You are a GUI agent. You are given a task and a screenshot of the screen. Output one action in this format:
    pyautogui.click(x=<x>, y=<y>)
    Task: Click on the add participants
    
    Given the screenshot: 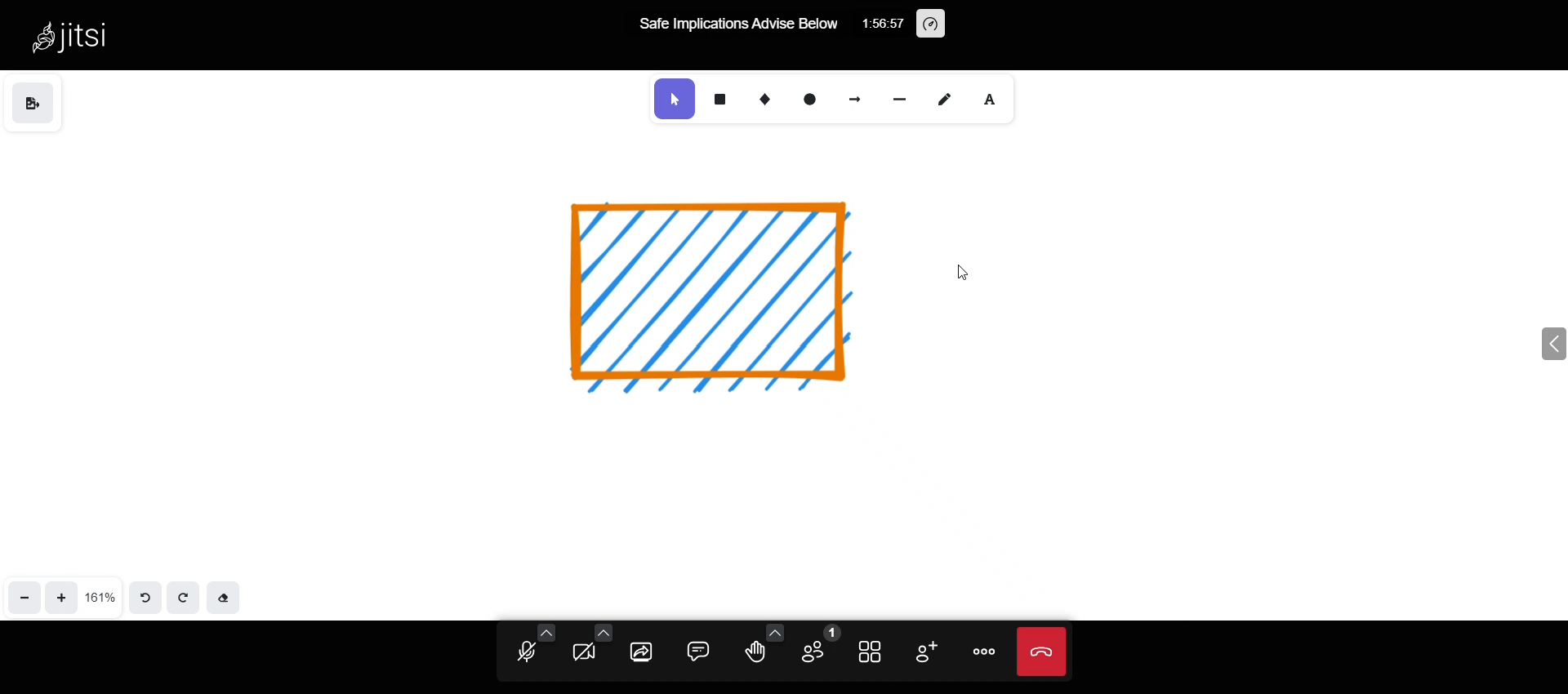 What is the action you would take?
    pyautogui.click(x=920, y=650)
    